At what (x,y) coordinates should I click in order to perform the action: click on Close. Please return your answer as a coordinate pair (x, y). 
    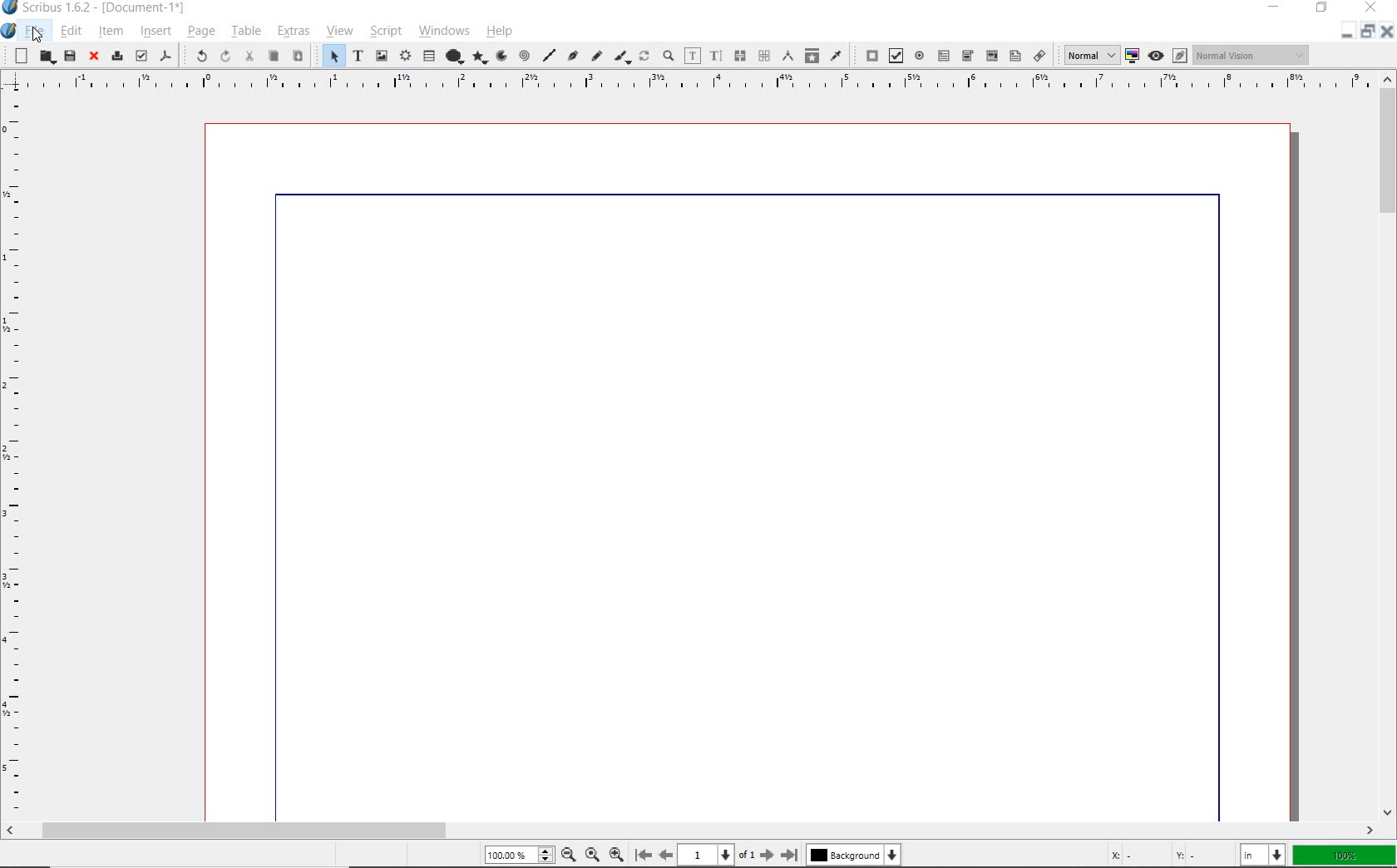
    Looking at the image, I should click on (1389, 31).